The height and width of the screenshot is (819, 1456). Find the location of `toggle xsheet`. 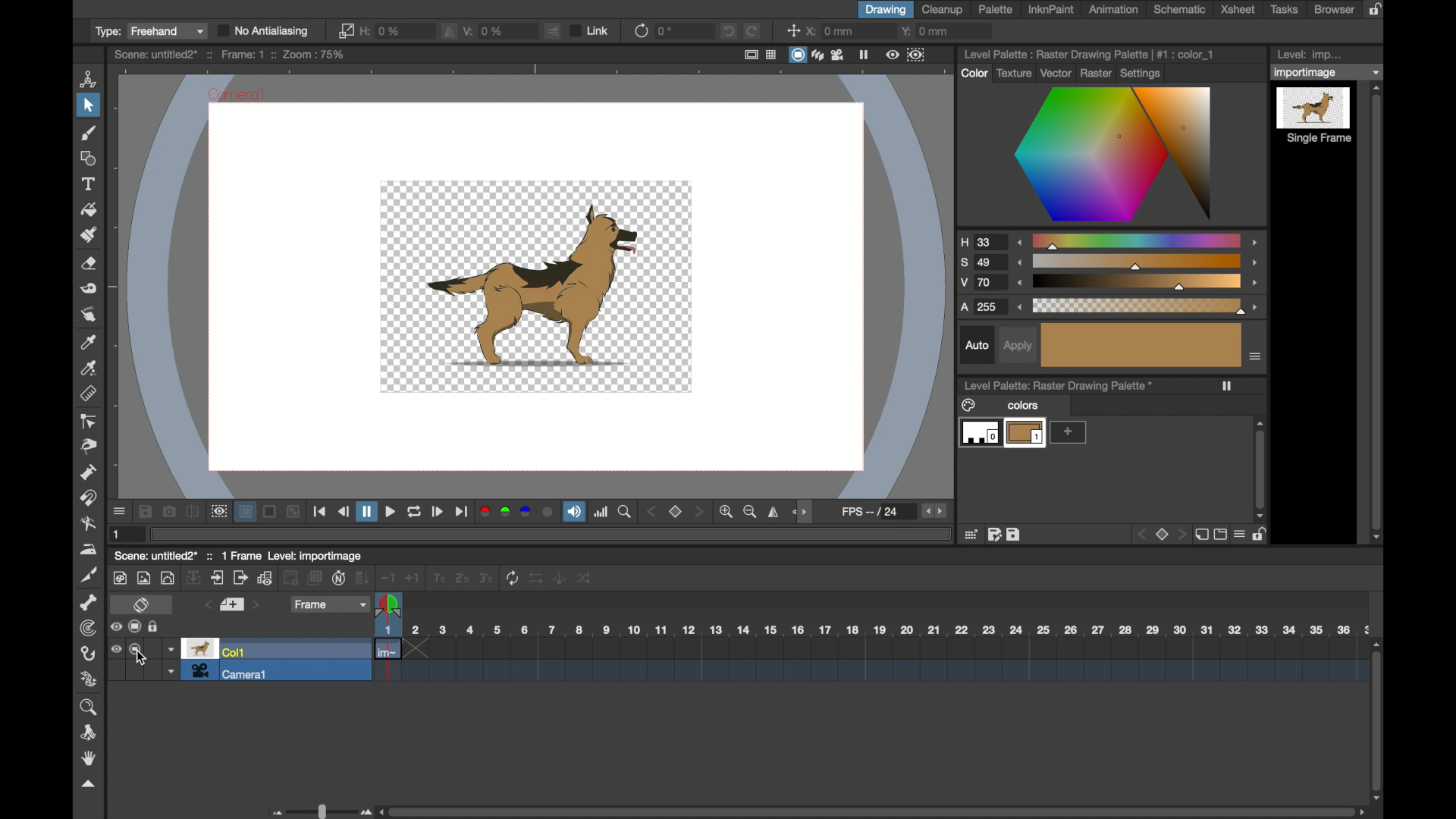

toggle xsheet is located at coordinates (140, 606).